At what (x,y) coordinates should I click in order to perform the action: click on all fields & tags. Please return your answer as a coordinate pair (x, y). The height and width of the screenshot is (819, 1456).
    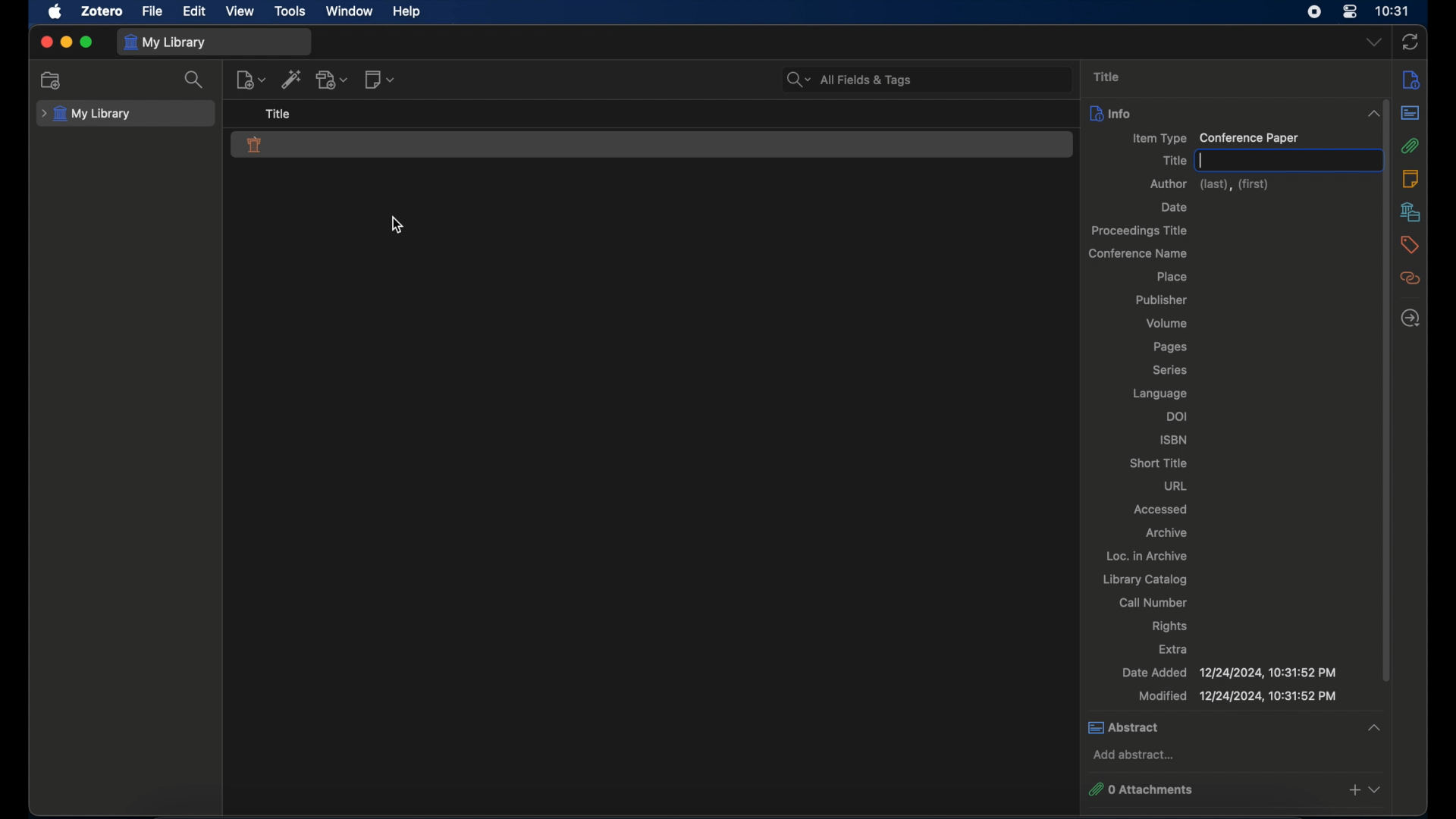
    Looking at the image, I should click on (849, 79).